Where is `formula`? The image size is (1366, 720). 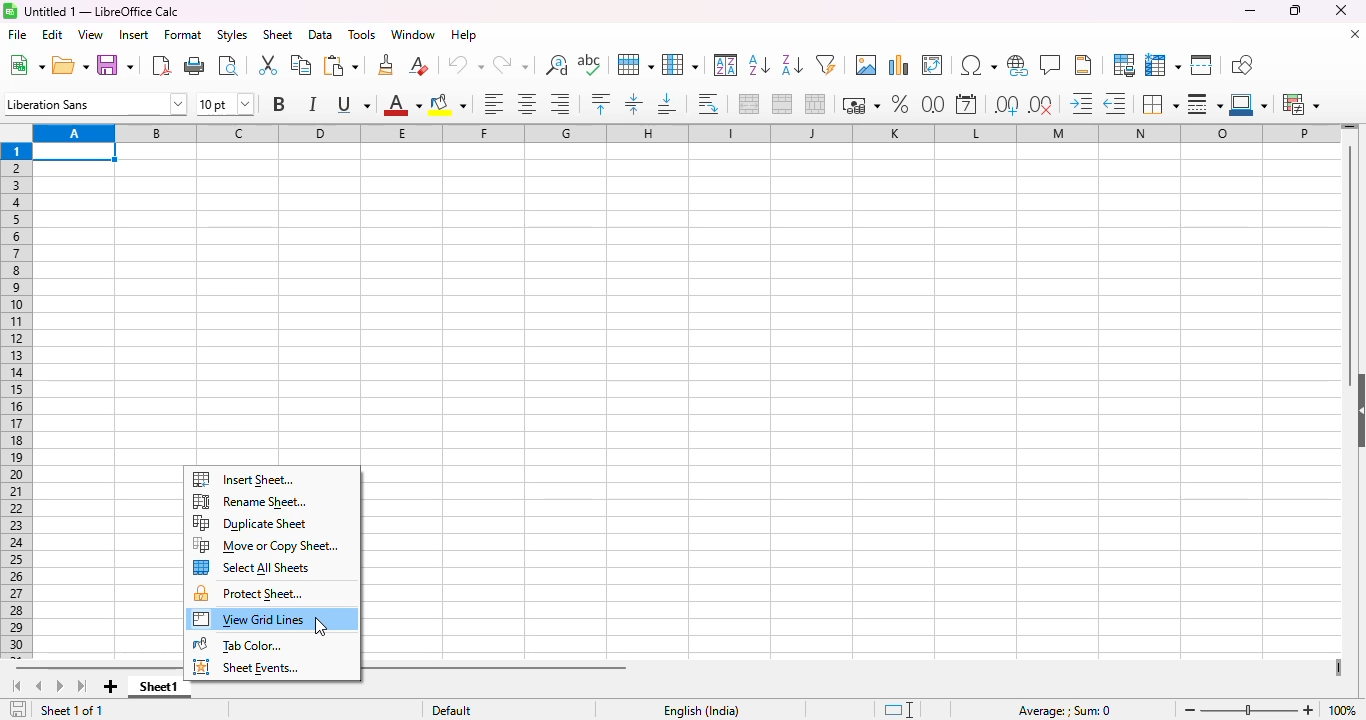
formula is located at coordinates (1065, 711).